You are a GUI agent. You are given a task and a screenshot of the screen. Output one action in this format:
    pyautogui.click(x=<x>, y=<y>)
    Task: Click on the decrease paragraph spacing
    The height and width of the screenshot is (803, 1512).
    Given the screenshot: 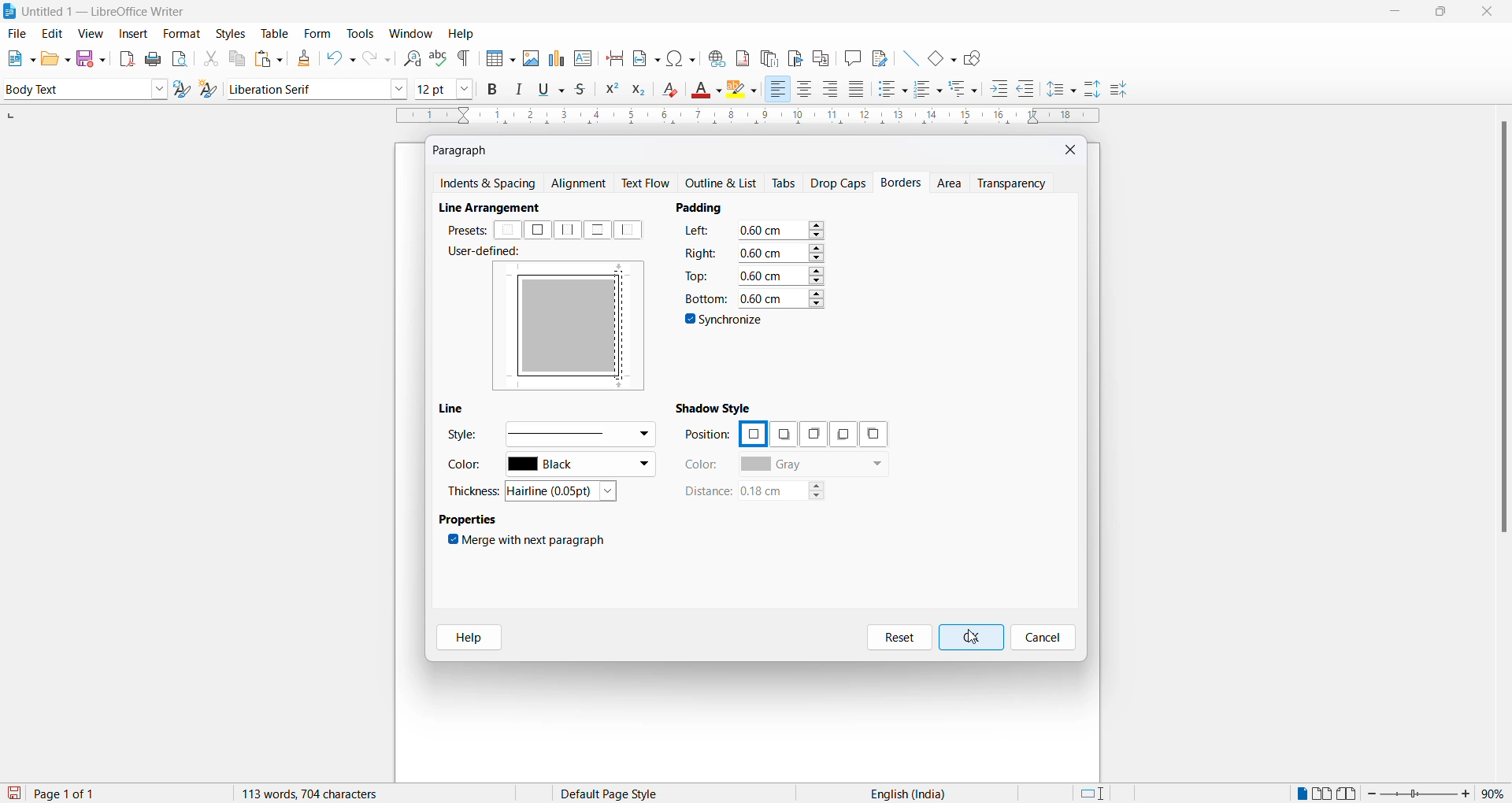 What is the action you would take?
    pyautogui.click(x=1117, y=91)
    